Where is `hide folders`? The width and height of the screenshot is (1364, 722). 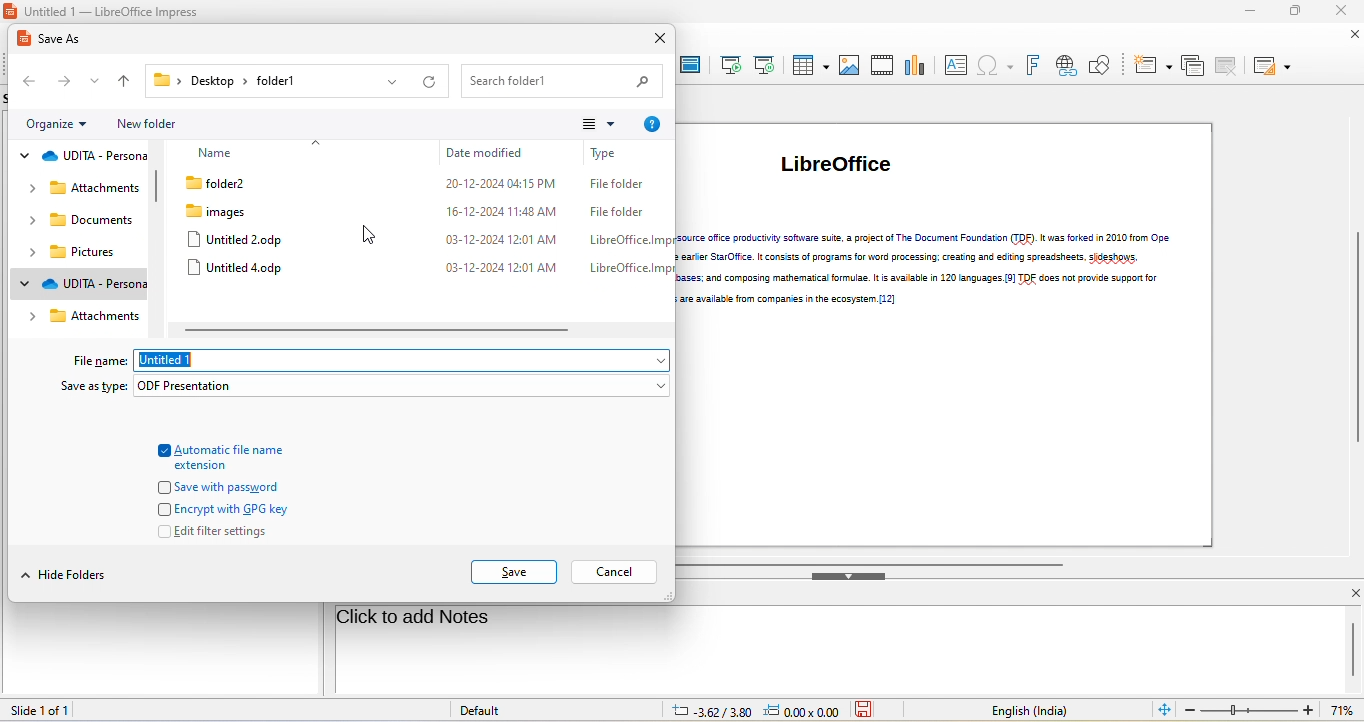
hide folders is located at coordinates (66, 575).